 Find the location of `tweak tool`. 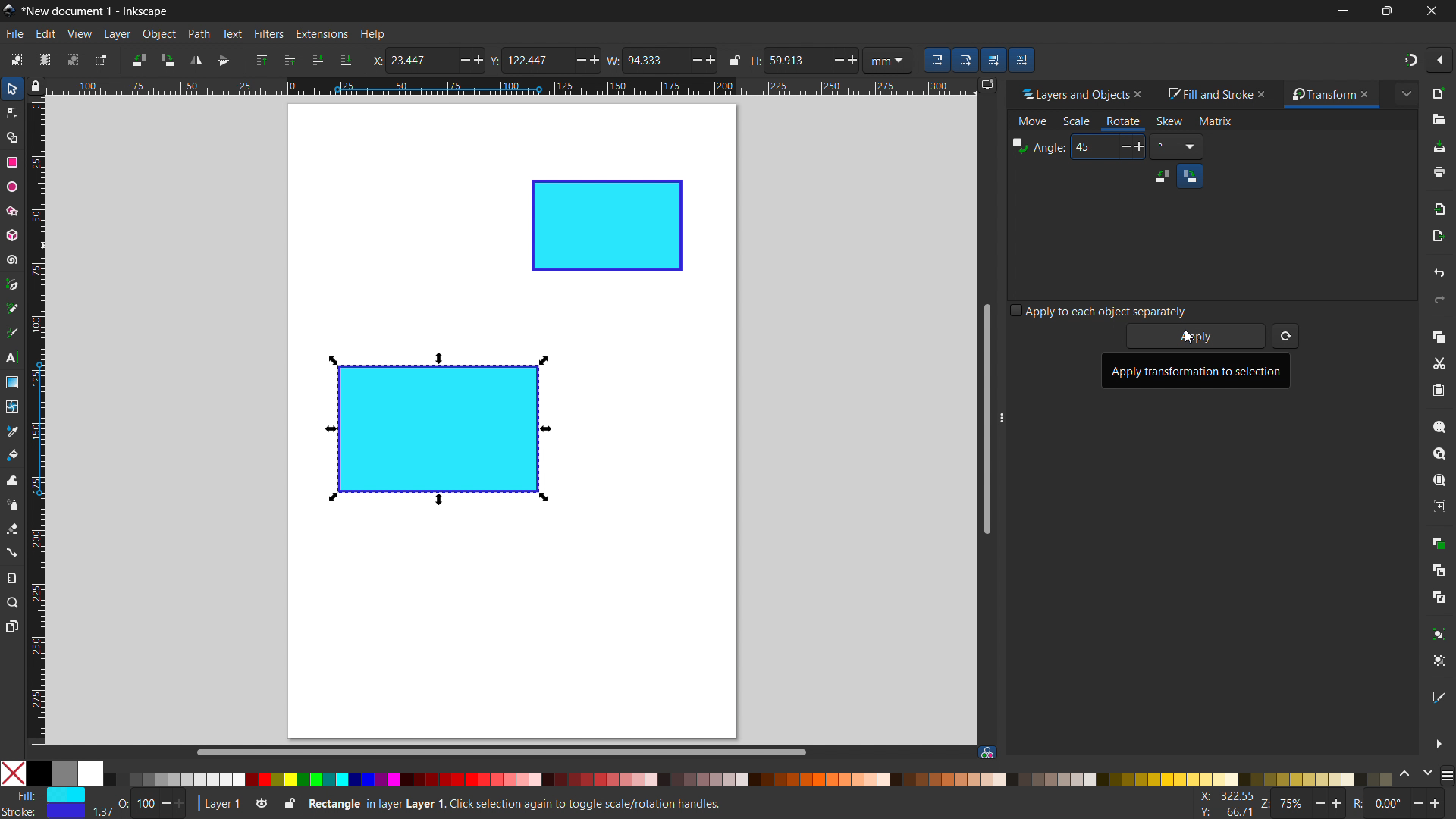

tweak tool is located at coordinates (12, 480).